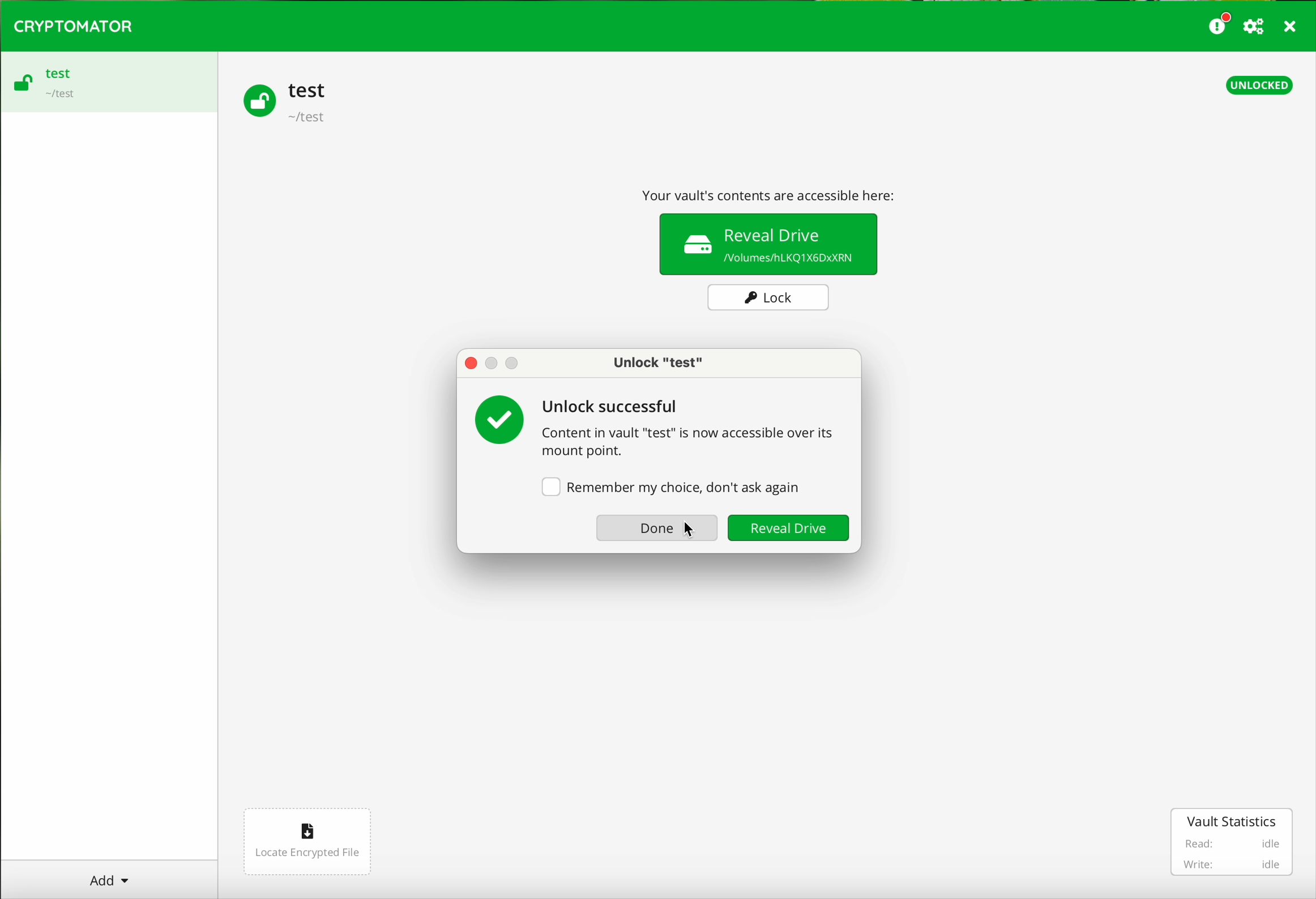 This screenshot has height=899, width=1316. What do you see at coordinates (770, 298) in the screenshot?
I see `lock button` at bounding box center [770, 298].